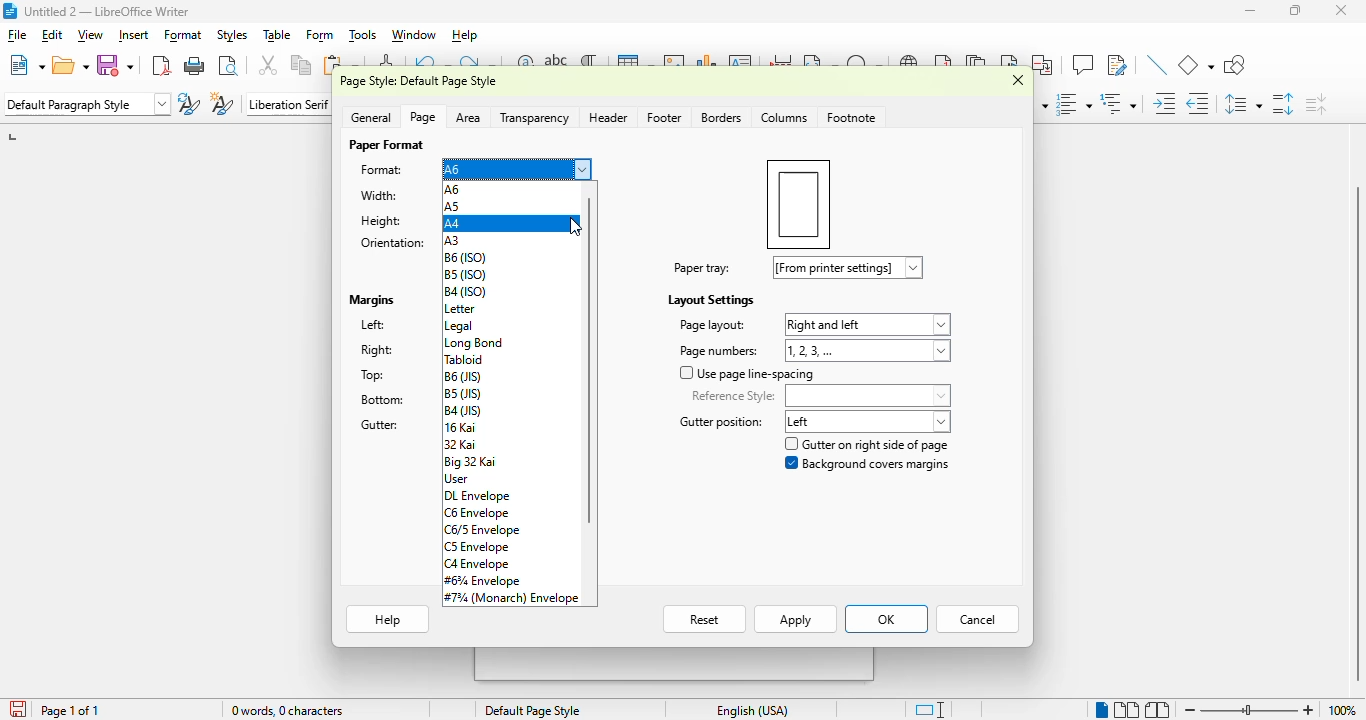  I want to click on show track changes functions, so click(1117, 65).